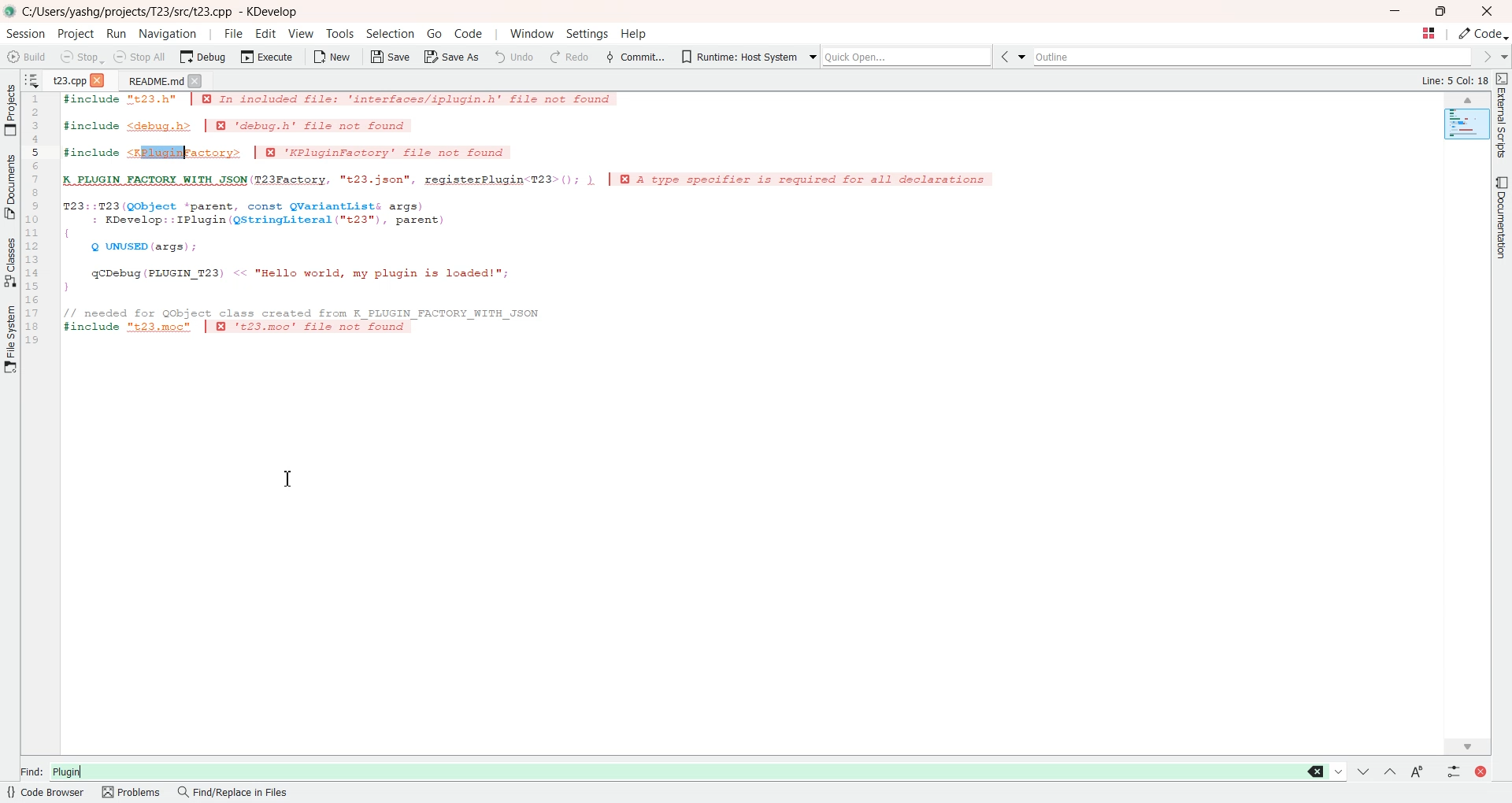  I want to click on Scroll up, so click(1468, 100).